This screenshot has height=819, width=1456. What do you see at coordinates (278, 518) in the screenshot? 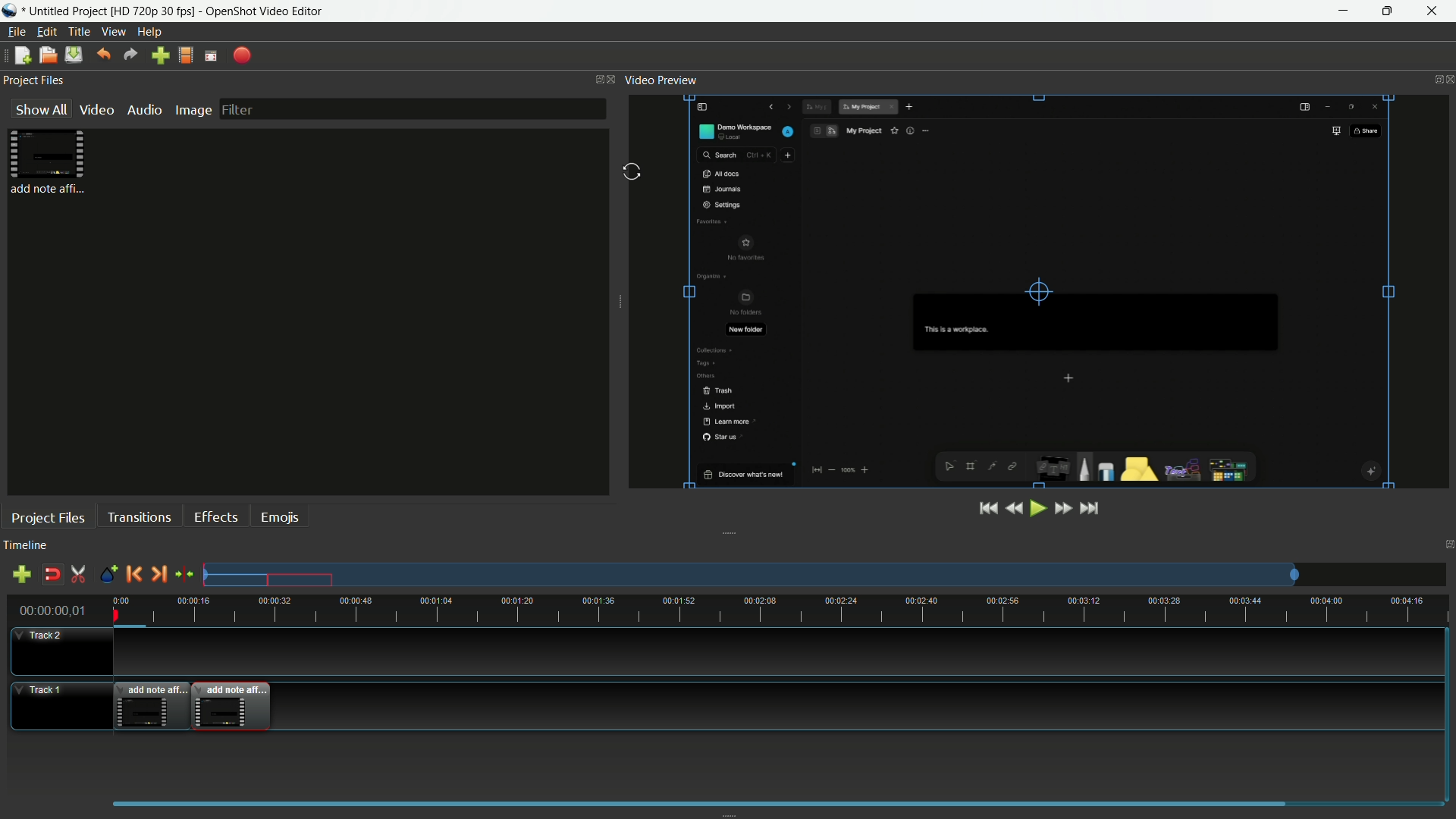
I see `emojis` at bounding box center [278, 518].